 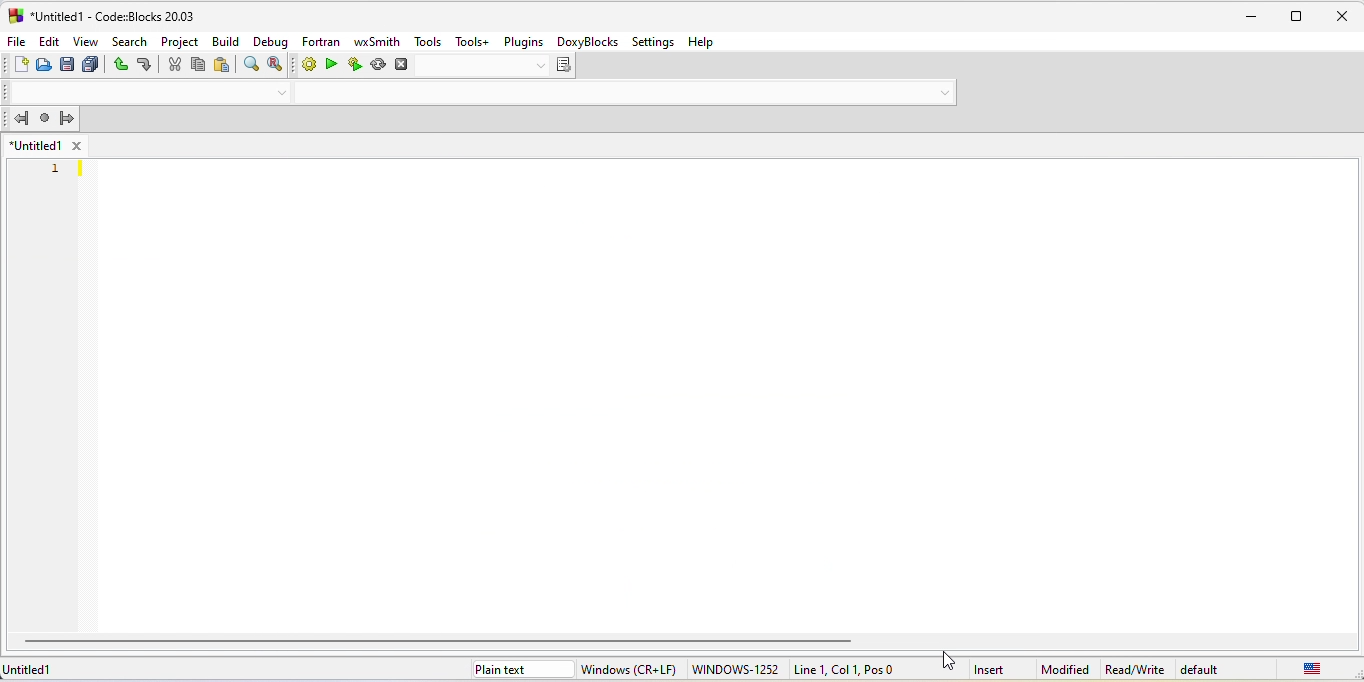 What do you see at coordinates (524, 42) in the screenshot?
I see `plugins` at bounding box center [524, 42].